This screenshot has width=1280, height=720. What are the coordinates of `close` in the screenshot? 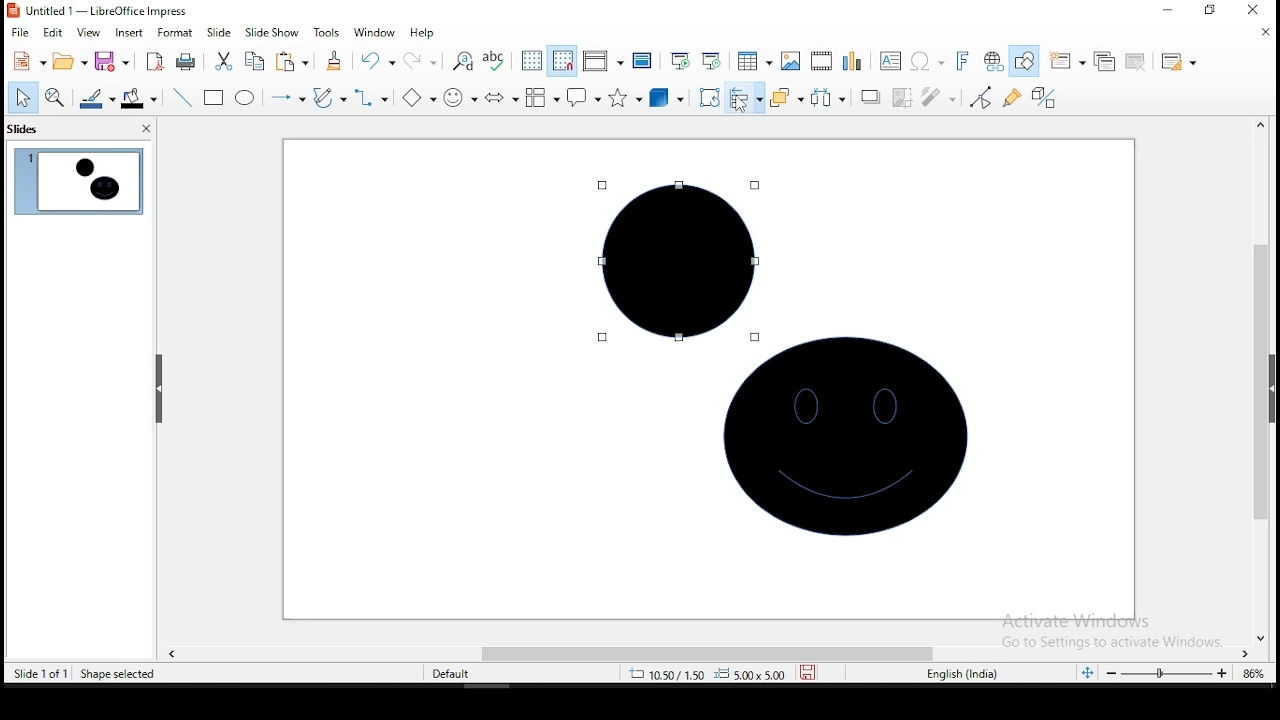 It's located at (1261, 32).